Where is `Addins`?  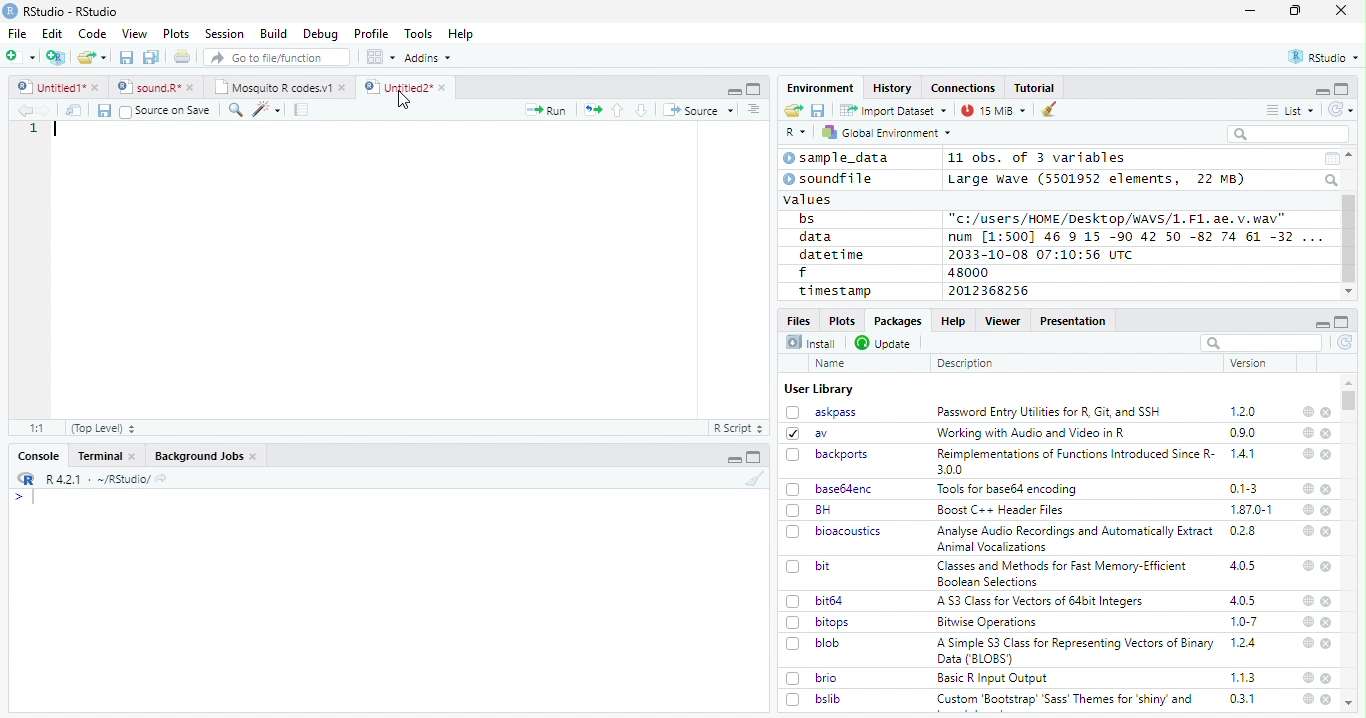
Addins is located at coordinates (428, 58).